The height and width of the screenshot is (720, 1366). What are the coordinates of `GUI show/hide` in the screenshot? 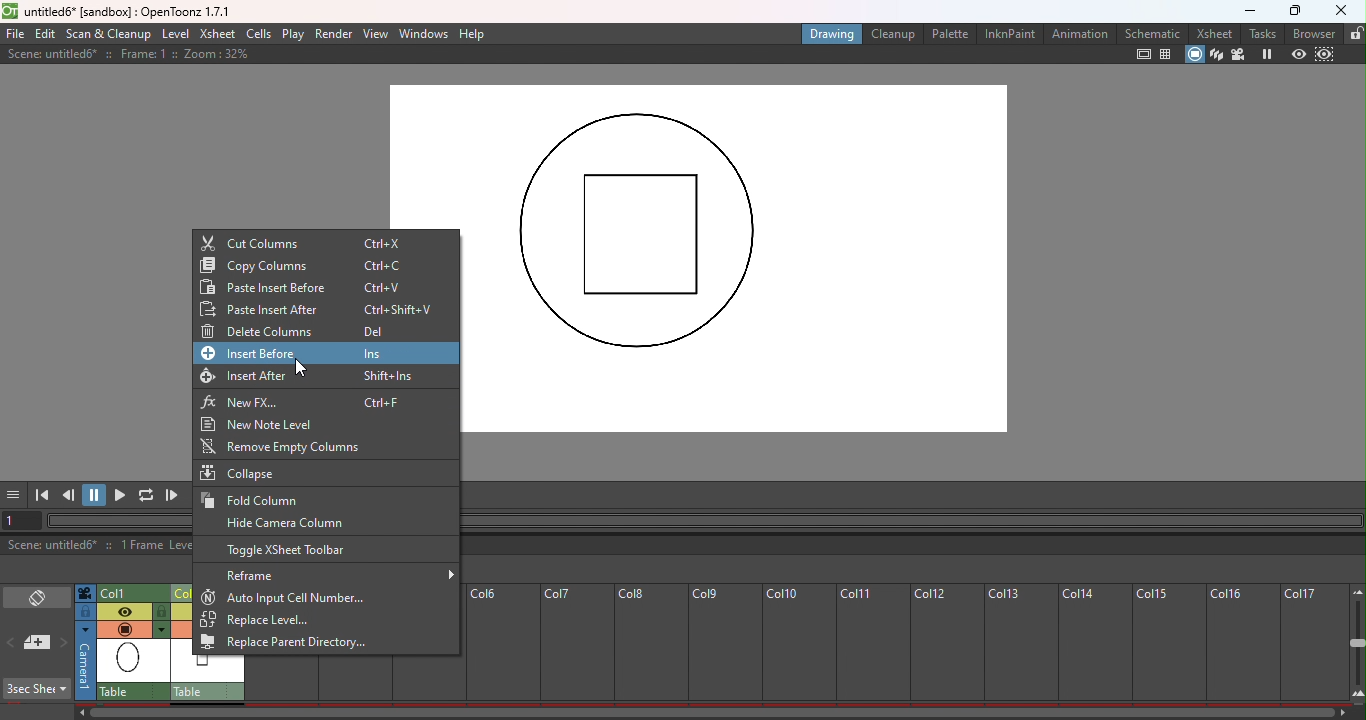 It's located at (16, 495).